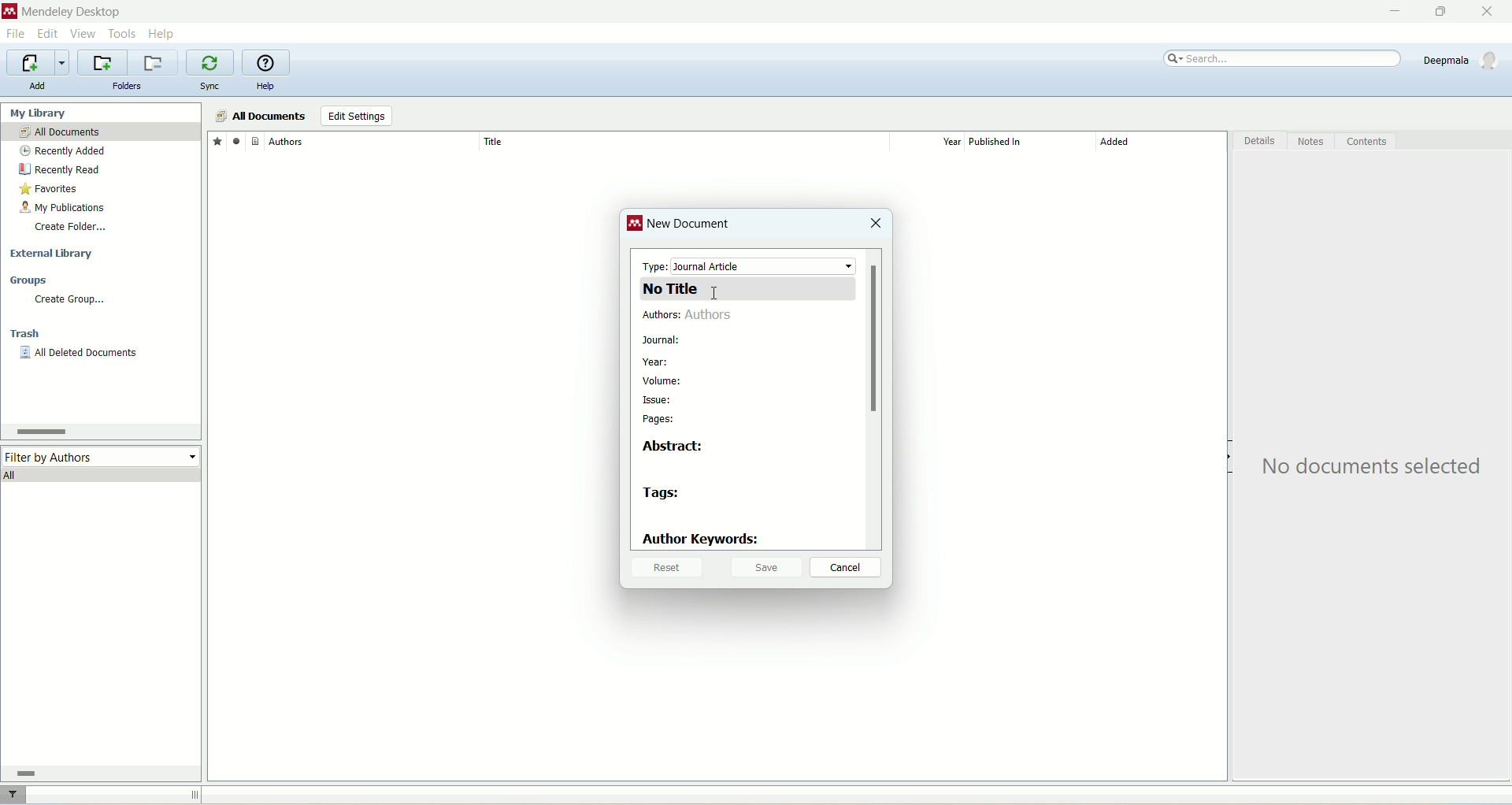 This screenshot has width=1512, height=805. I want to click on pages, so click(661, 420).